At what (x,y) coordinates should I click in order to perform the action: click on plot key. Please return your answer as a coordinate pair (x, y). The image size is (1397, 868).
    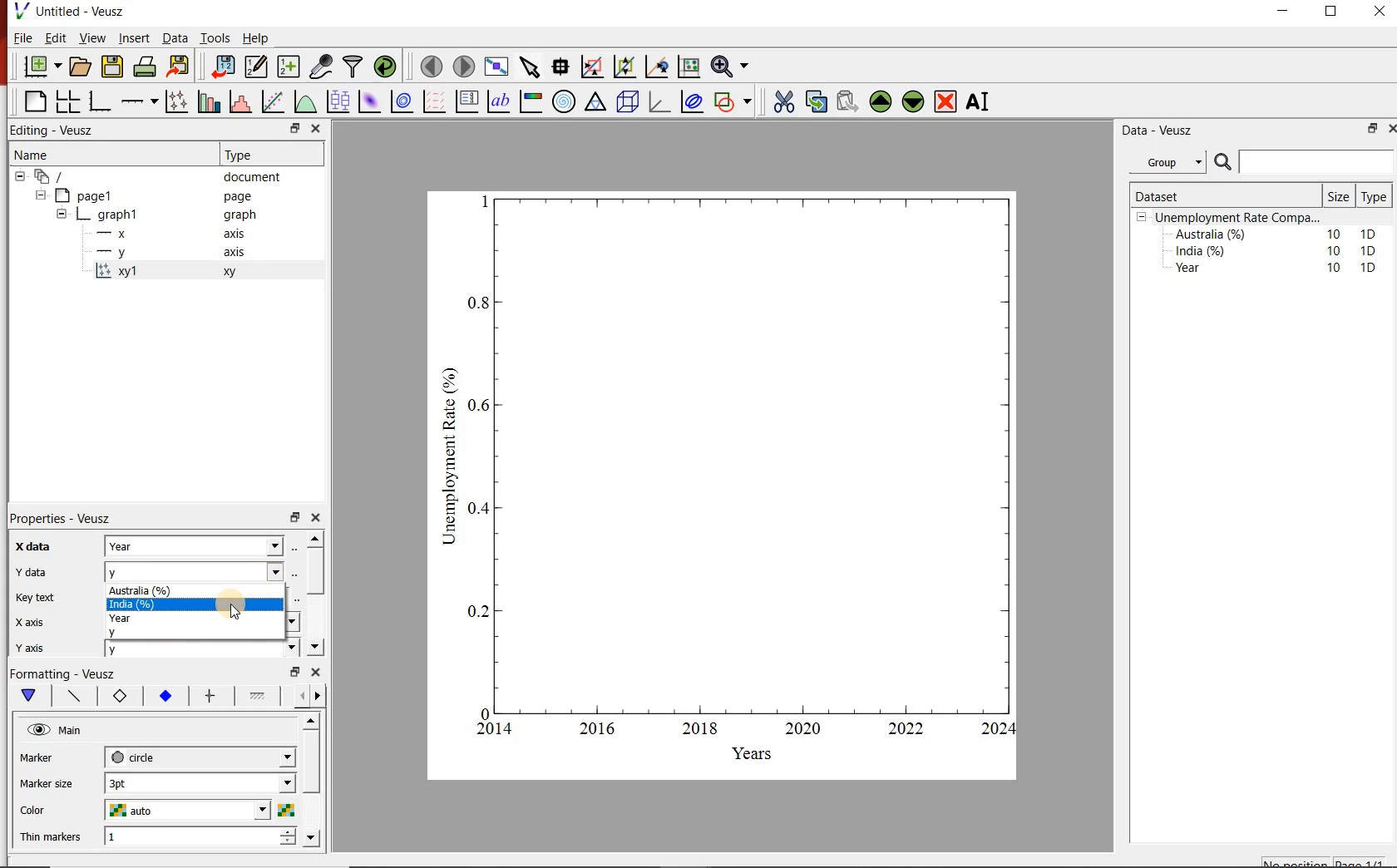
    Looking at the image, I should click on (466, 102).